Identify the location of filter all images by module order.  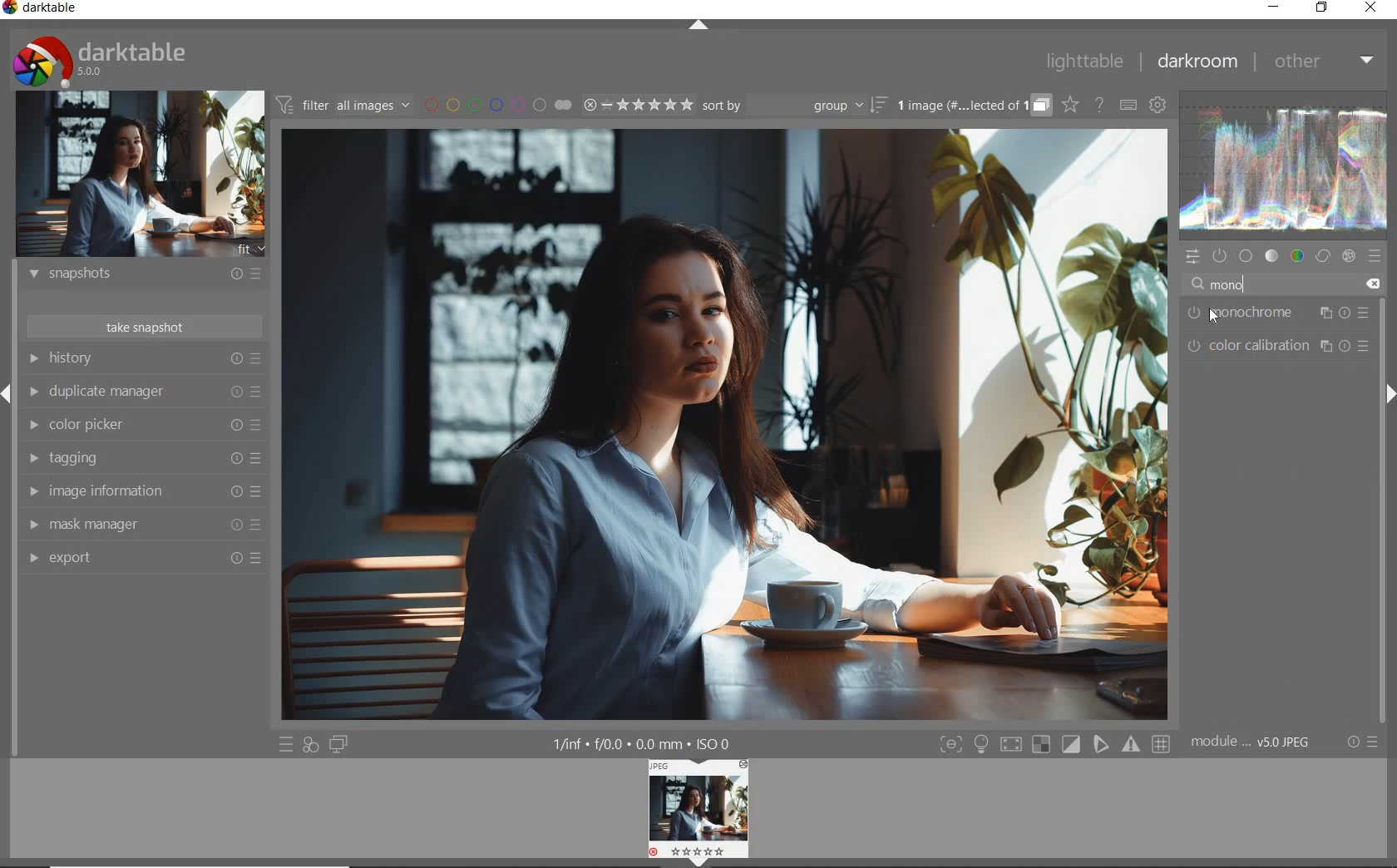
(342, 106).